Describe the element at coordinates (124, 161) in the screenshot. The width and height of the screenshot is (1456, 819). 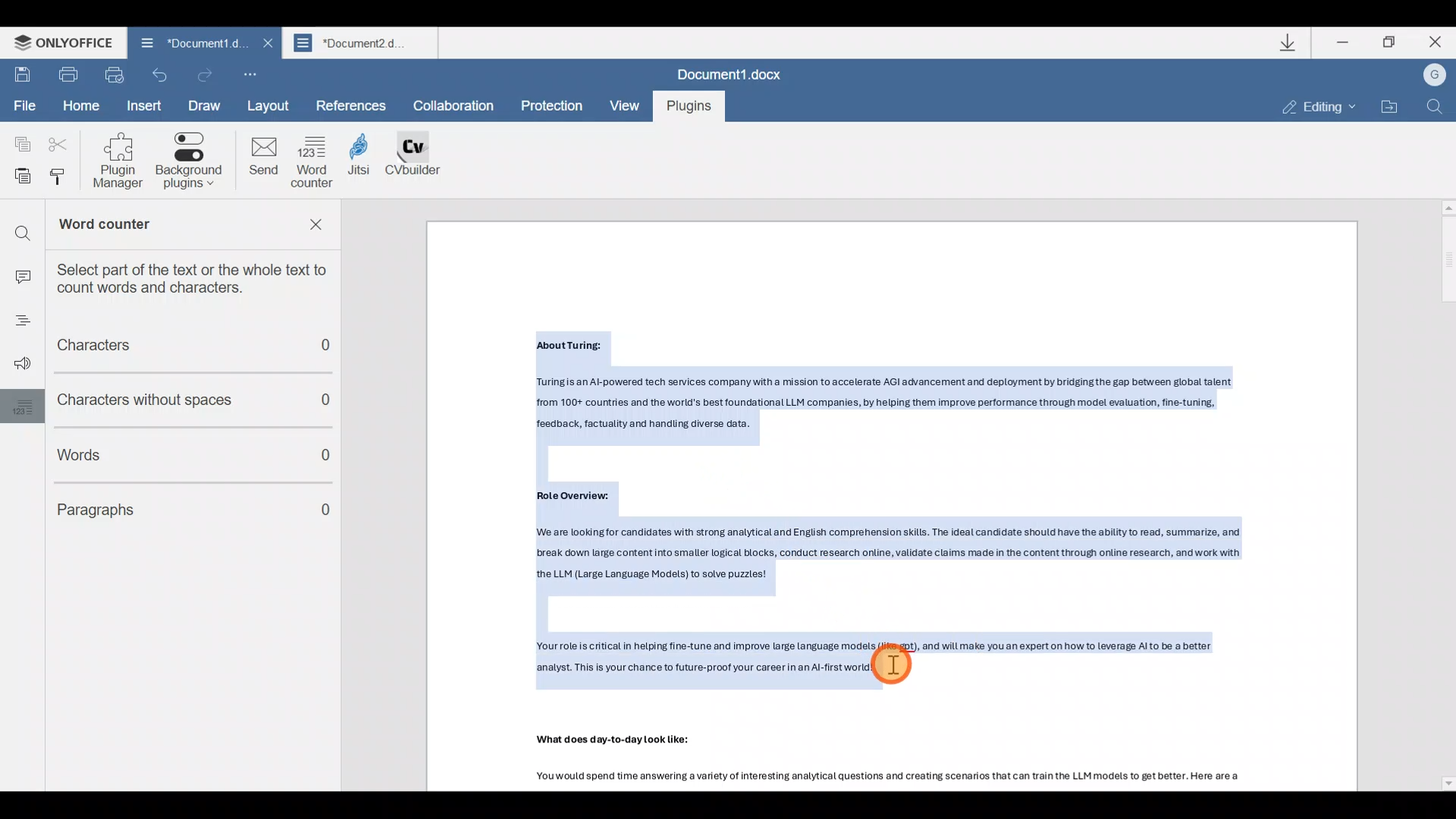
I see `Plugin manager` at that location.